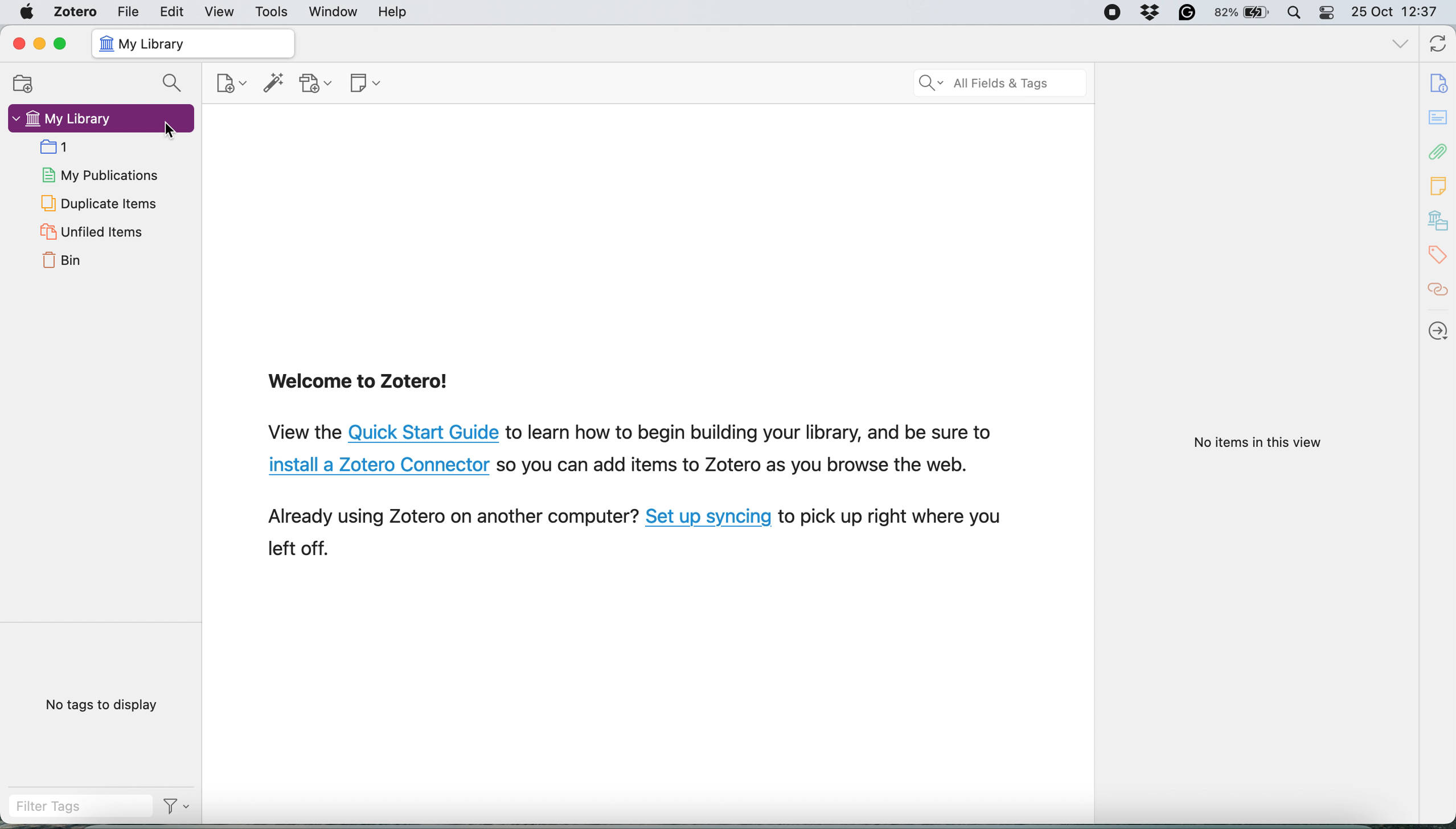 The height and width of the screenshot is (829, 1456). Describe the element at coordinates (100, 203) in the screenshot. I see `duplicate items` at that location.